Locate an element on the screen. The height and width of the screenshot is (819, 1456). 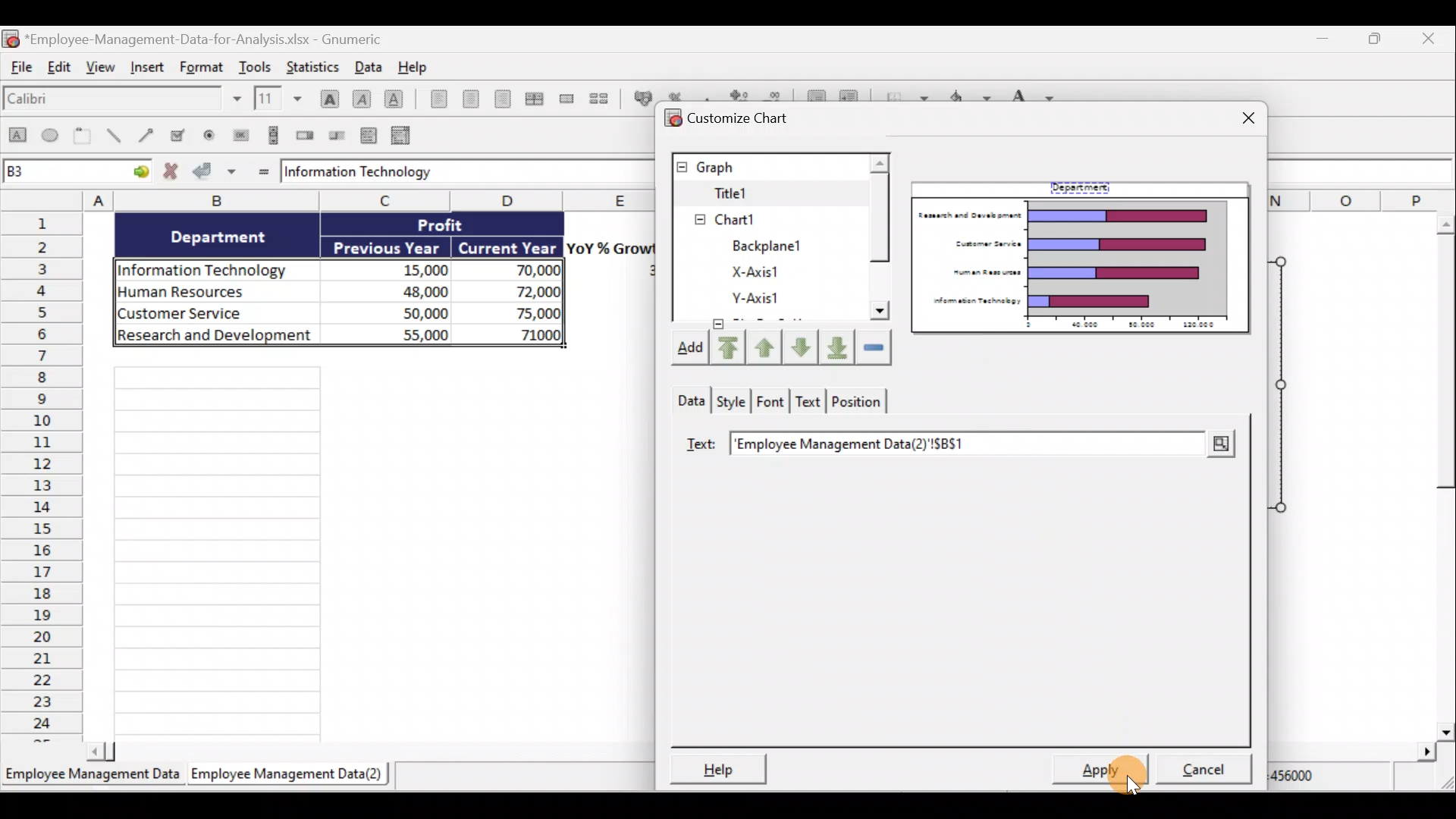
Add is located at coordinates (683, 349).